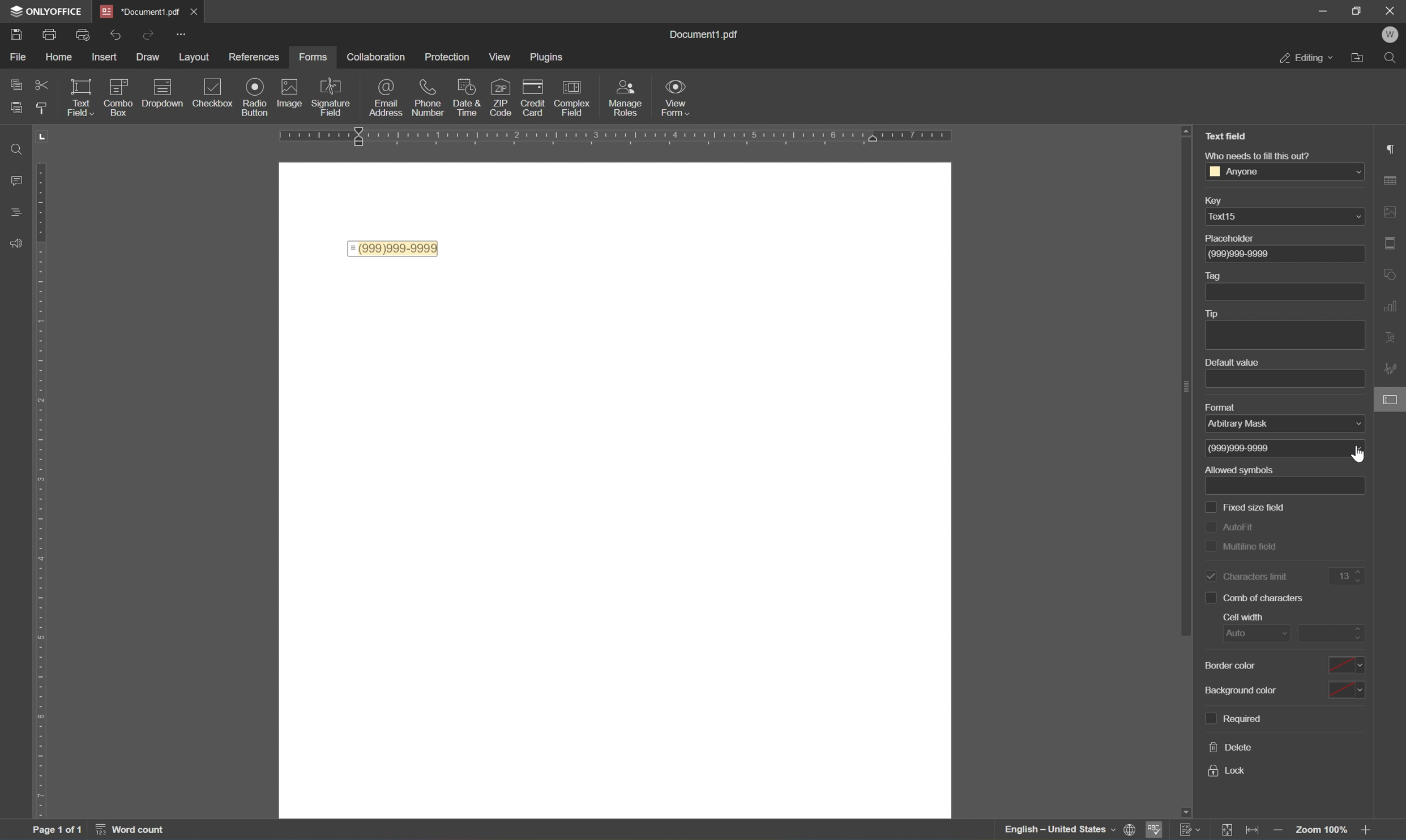 The width and height of the screenshot is (1406, 840). I want to click on open file location, so click(1363, 56).